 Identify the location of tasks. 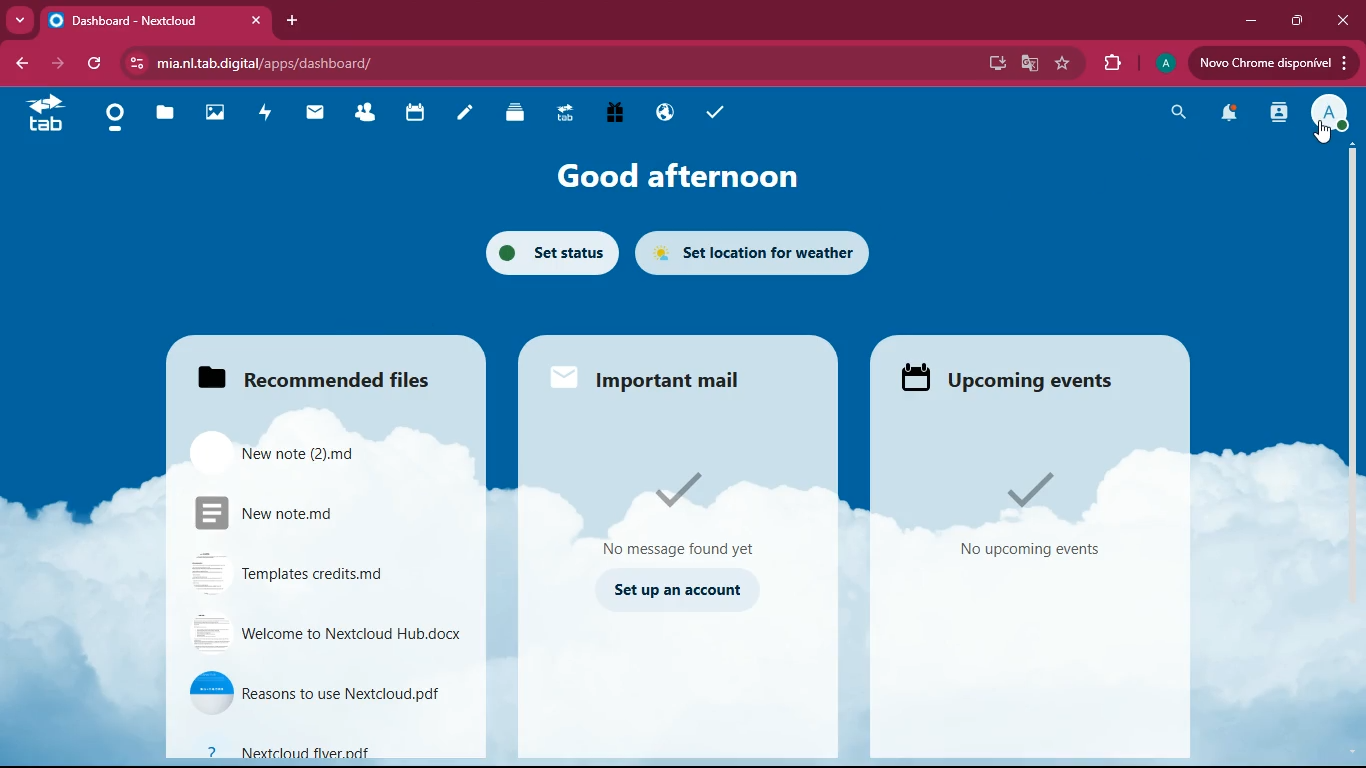
(707, 112).